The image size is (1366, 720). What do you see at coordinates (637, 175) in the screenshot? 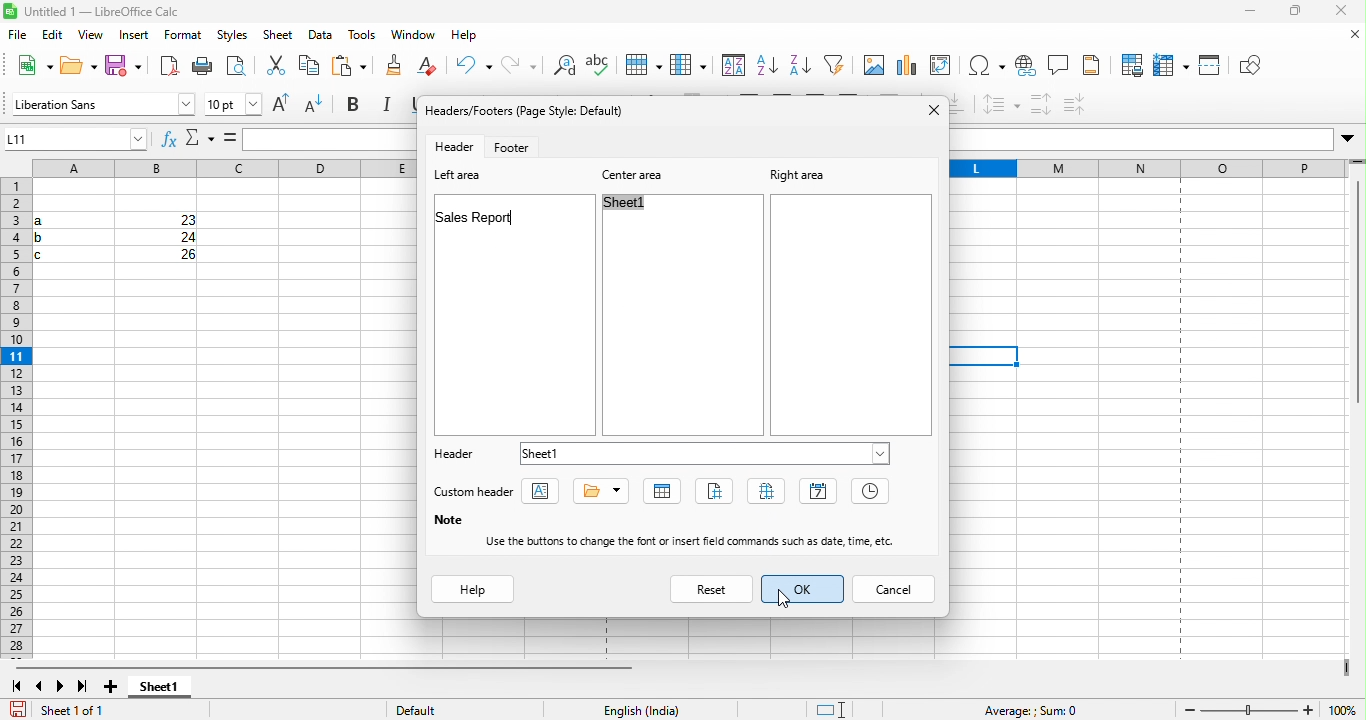
I see `center area` at bounding box center [637, 175].